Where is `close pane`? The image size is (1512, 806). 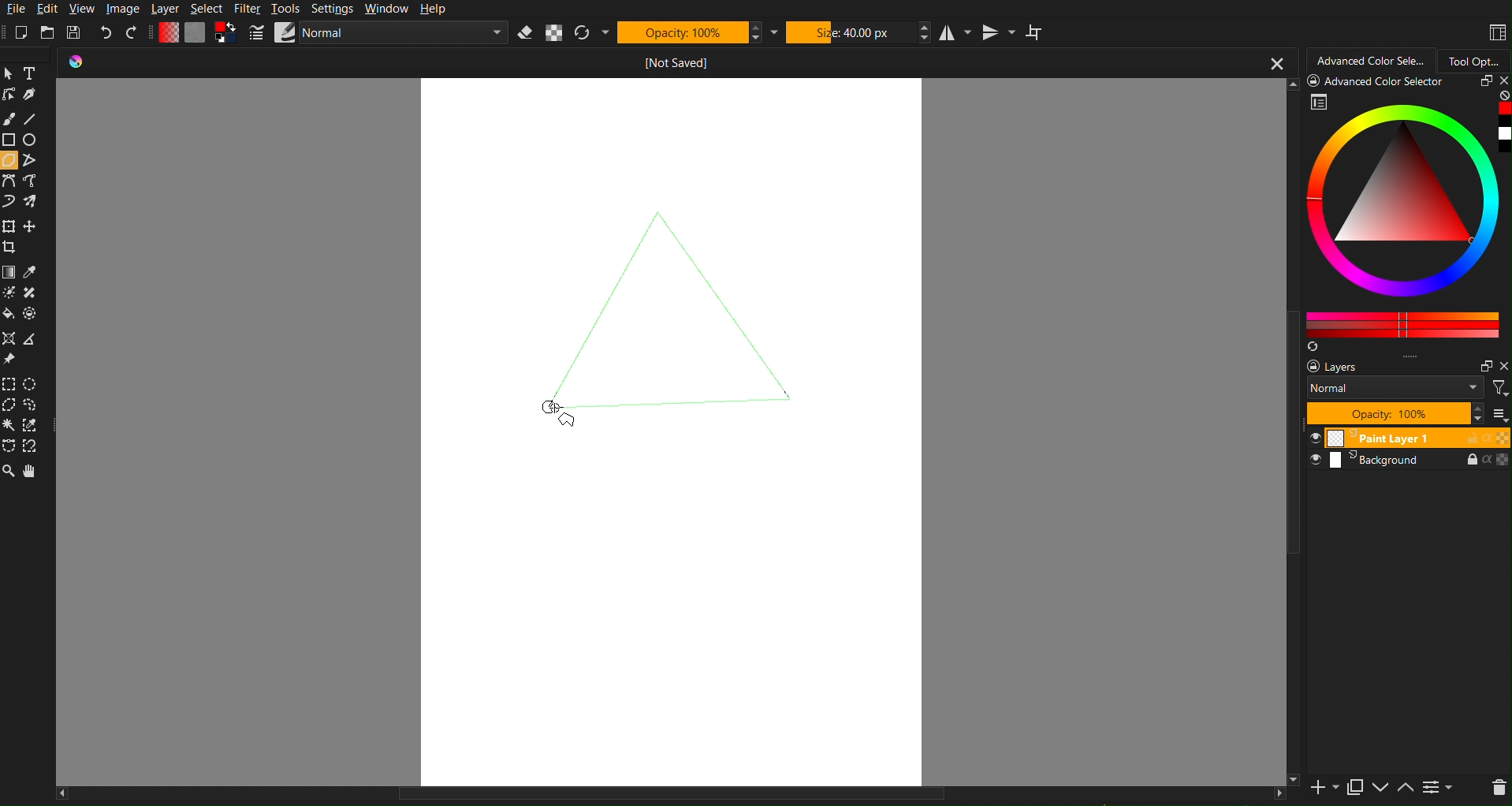 close pane is located at coordinates (1503, 366).